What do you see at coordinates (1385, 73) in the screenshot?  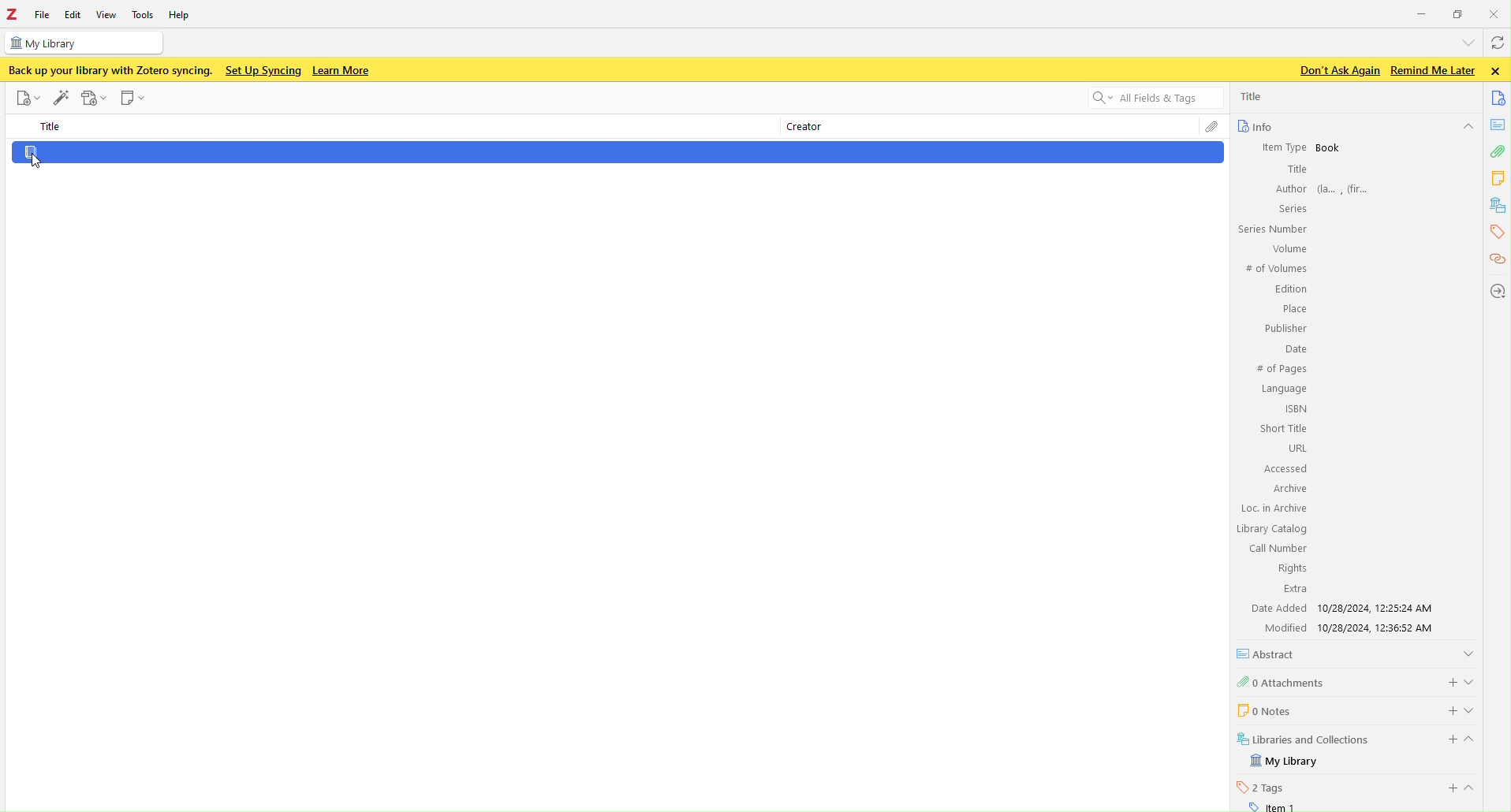 I see `text` at bounding box center [1385, 73].